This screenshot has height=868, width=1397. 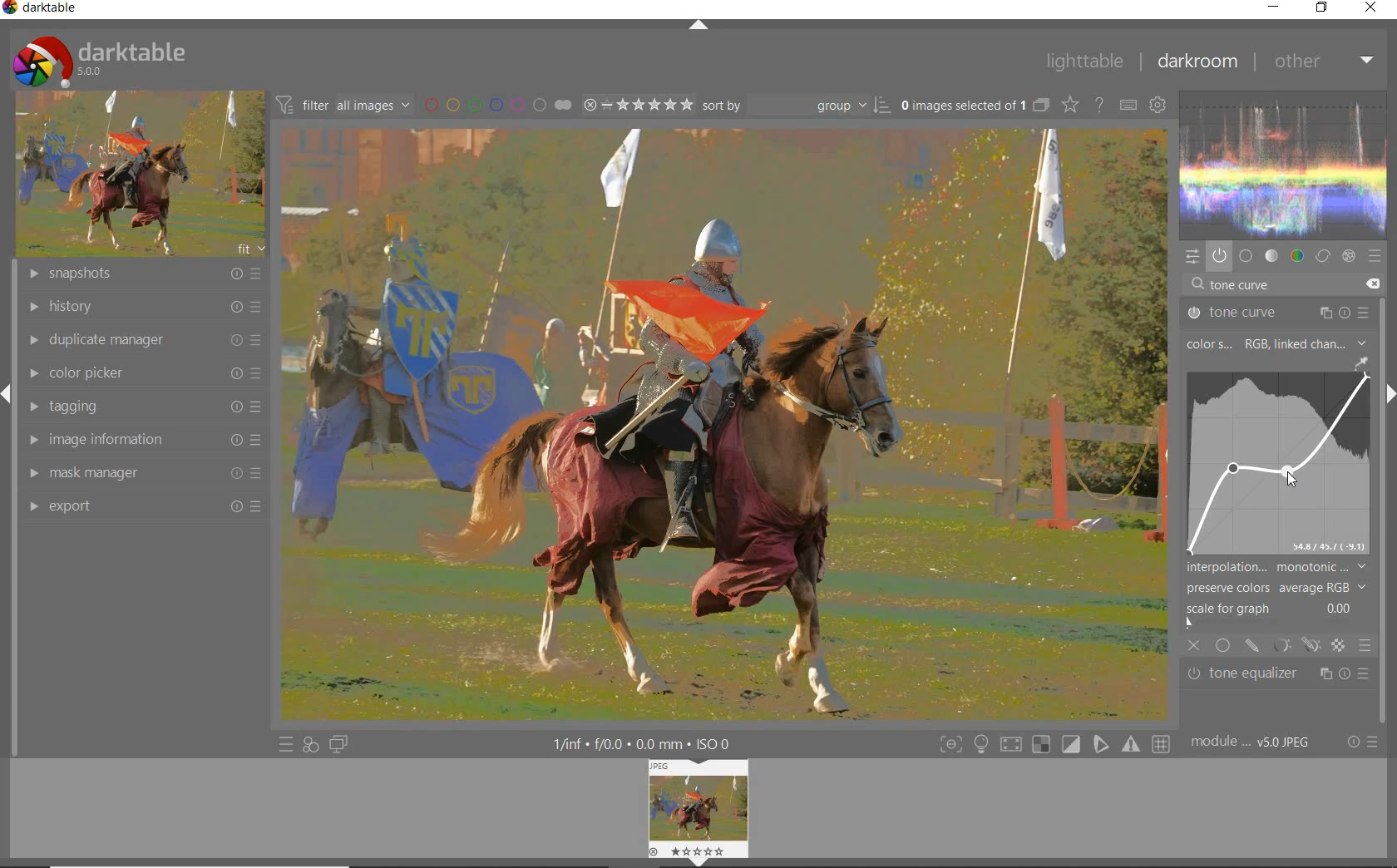 What do you see at coordinates (1372, 8) in the screenshot?
I see `close` at bounding box center [1372, 8].